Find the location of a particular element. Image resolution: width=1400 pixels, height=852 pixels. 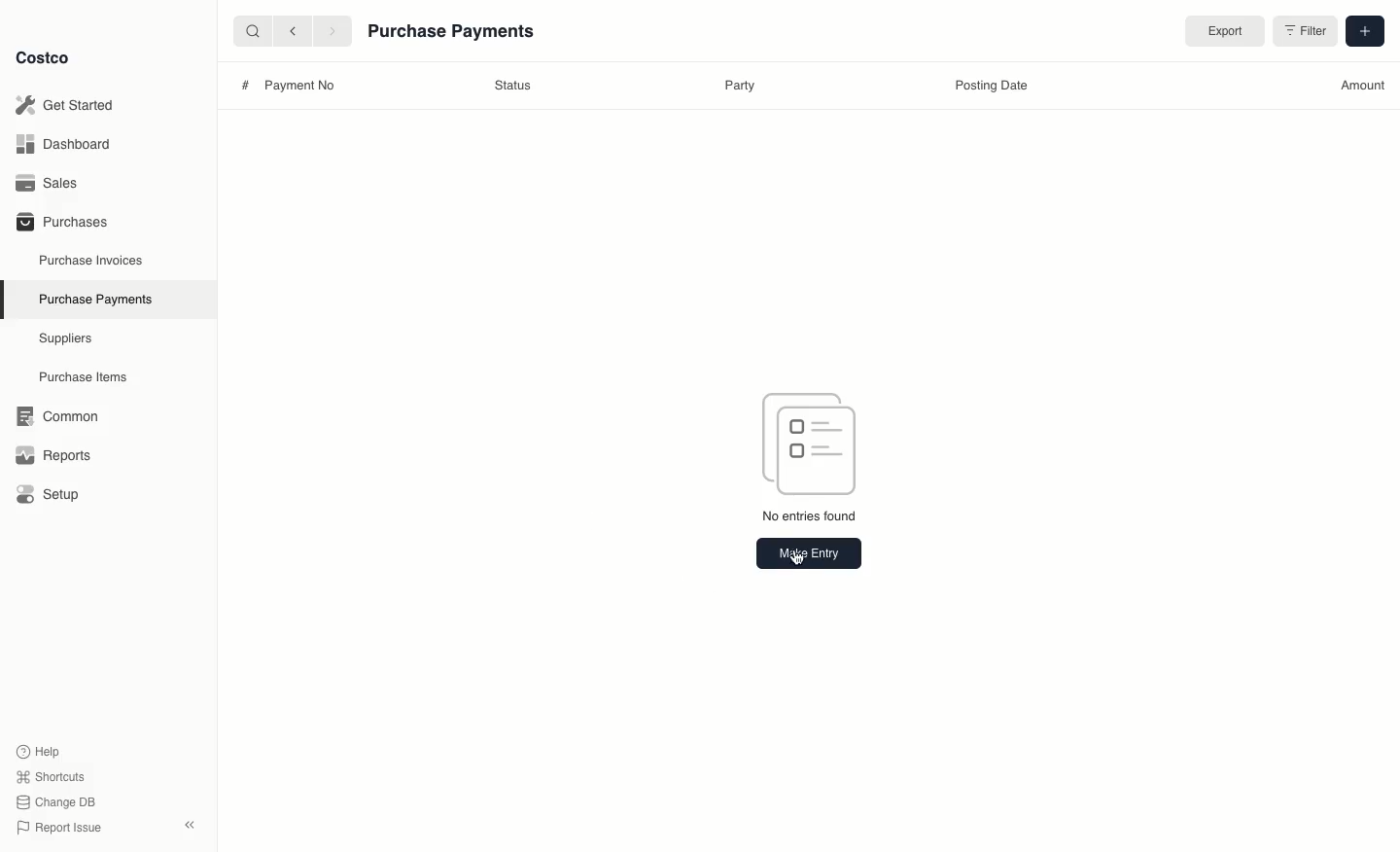

Posting Date is located at coordinates (989, 89).